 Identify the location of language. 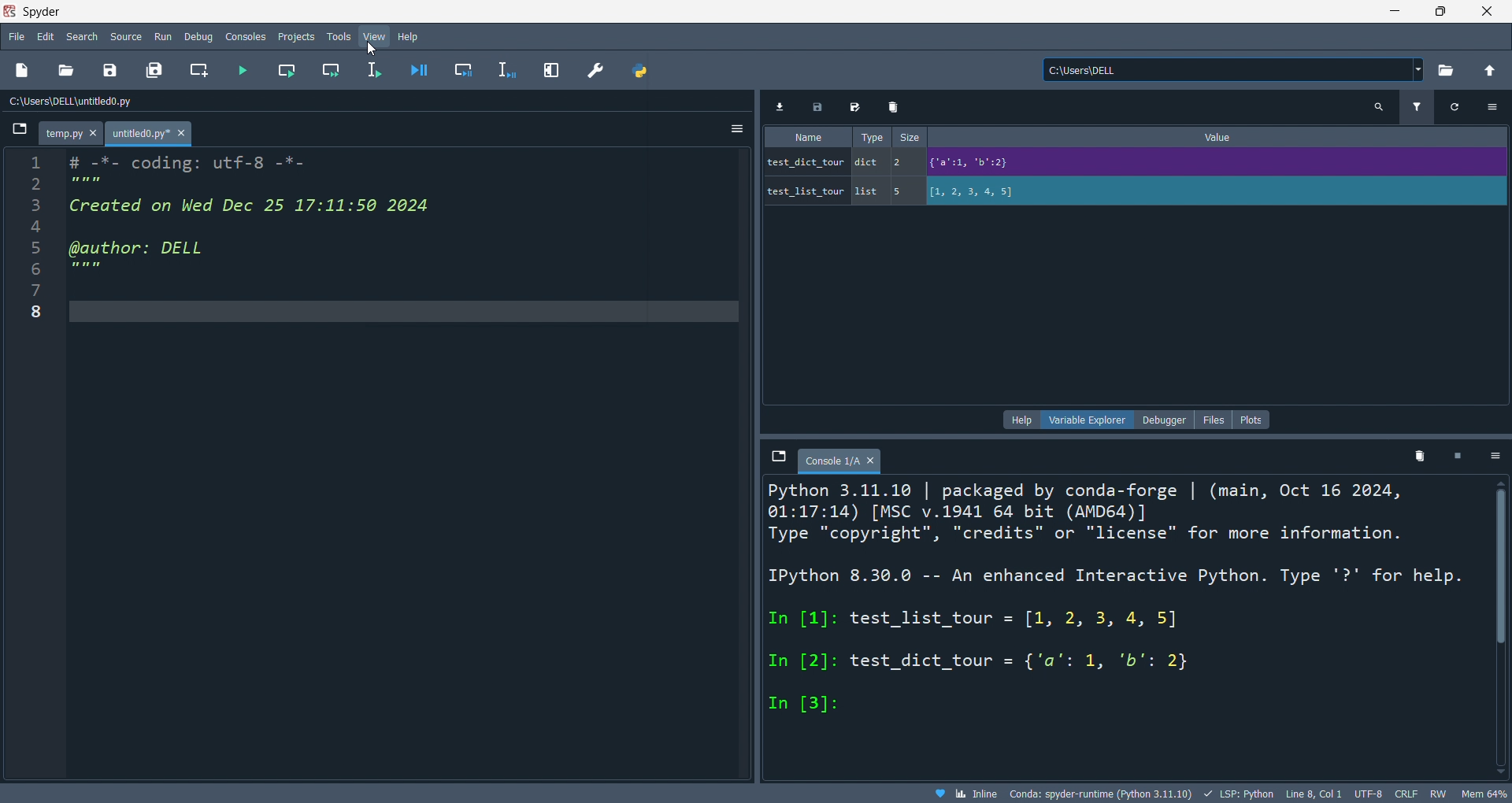
(1237, 794).